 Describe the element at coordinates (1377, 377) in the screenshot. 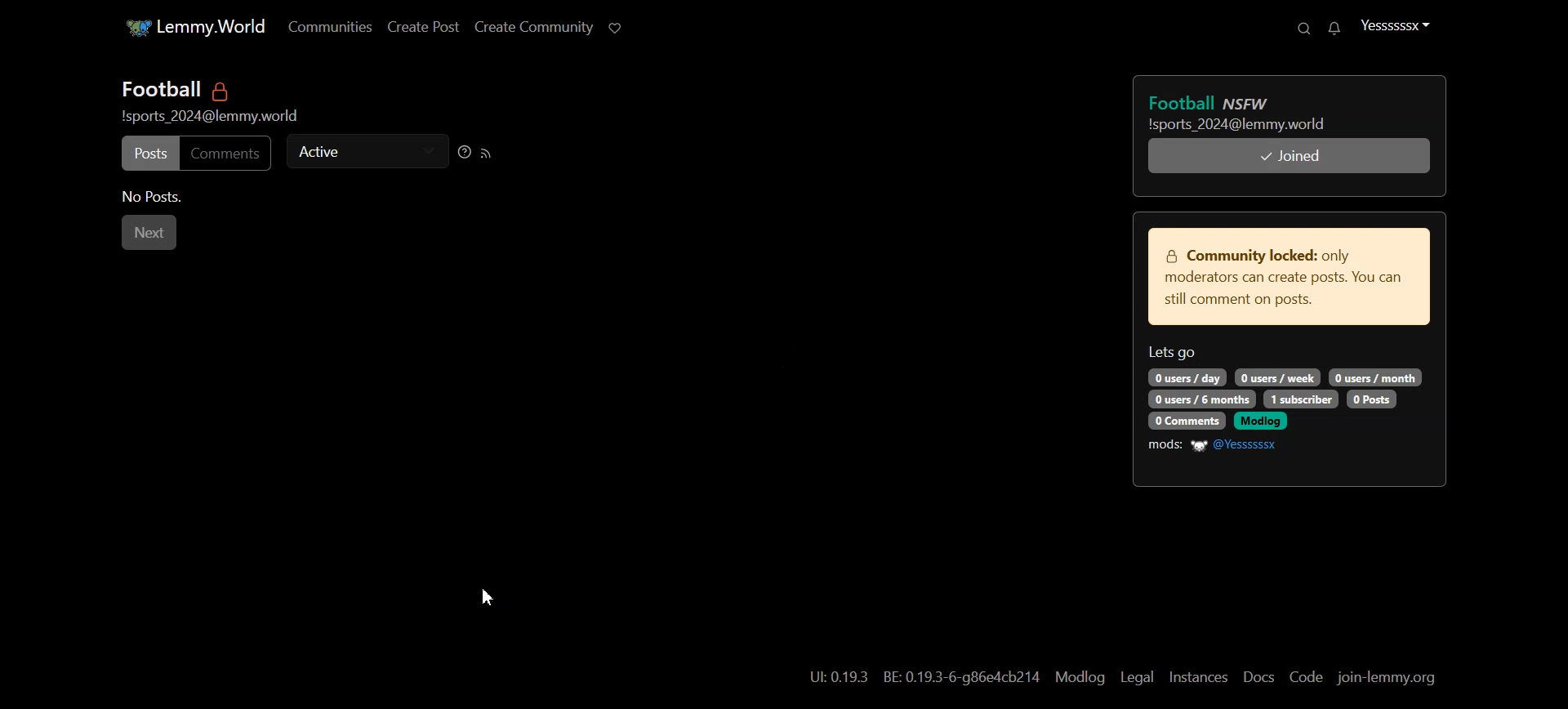

I see `text` at that location.